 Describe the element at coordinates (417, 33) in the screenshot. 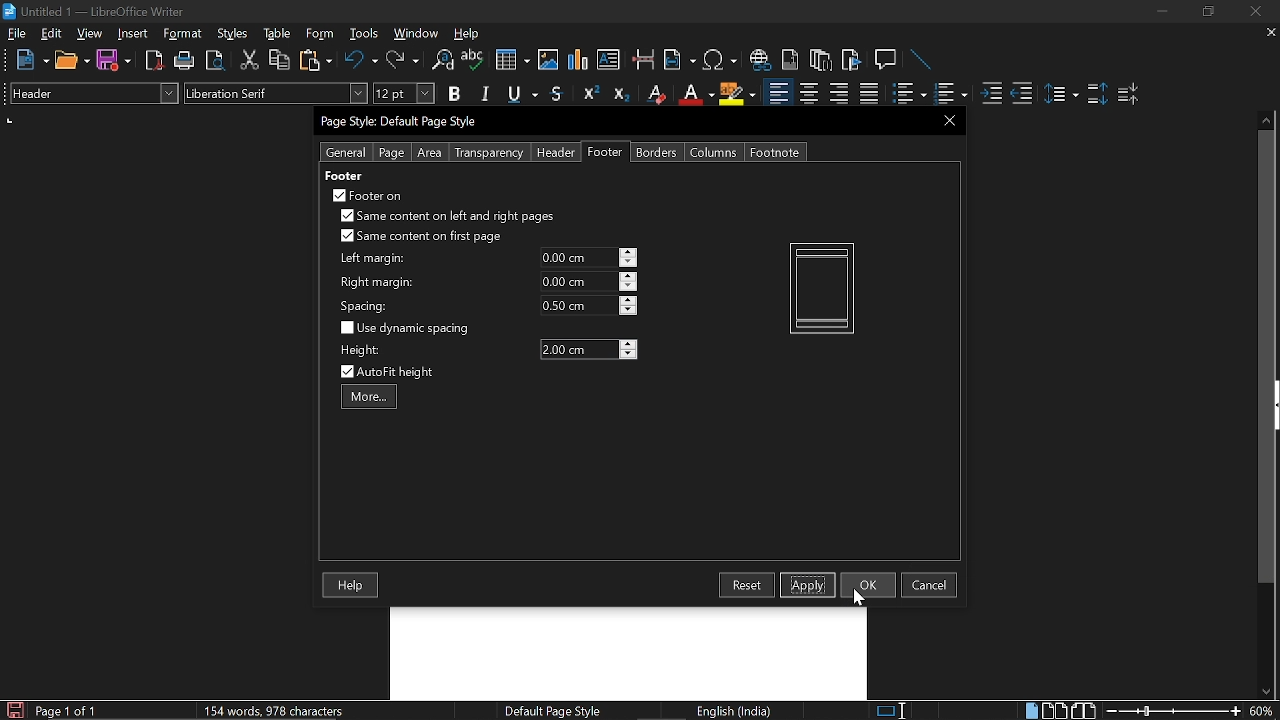

I see `WIndow` at that location.